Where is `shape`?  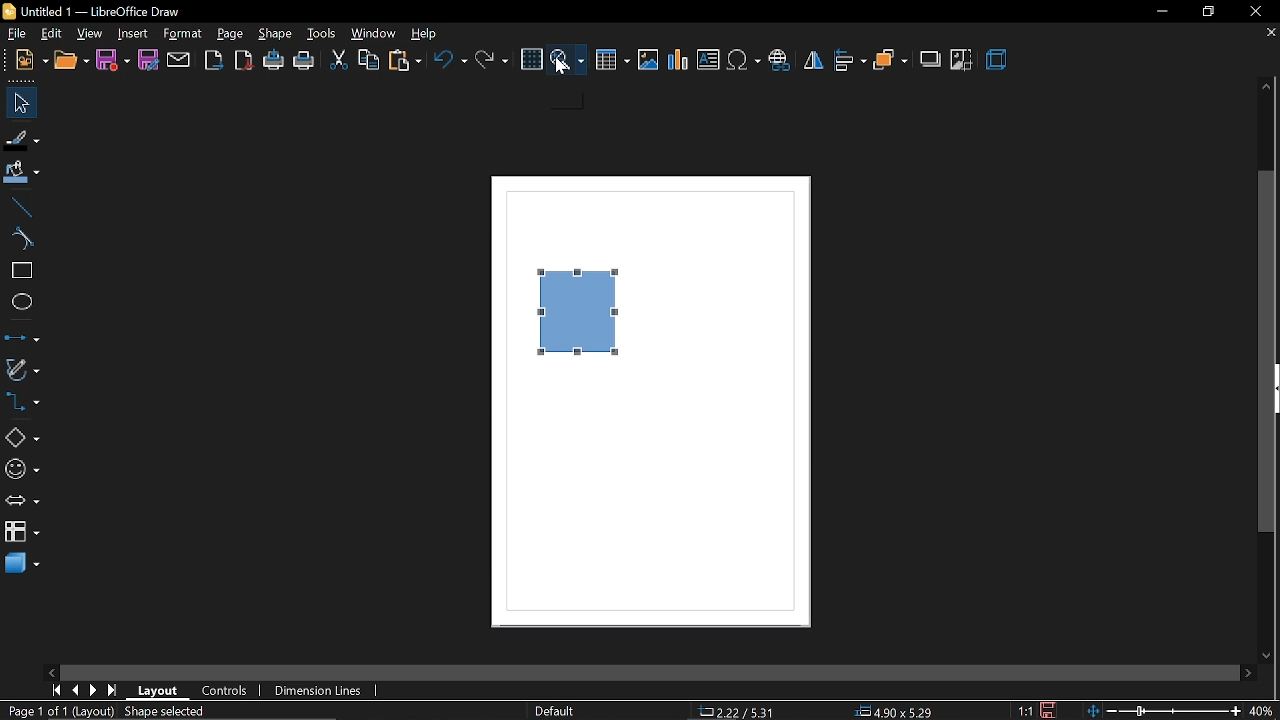
shape is located at coordinates (275, 35).